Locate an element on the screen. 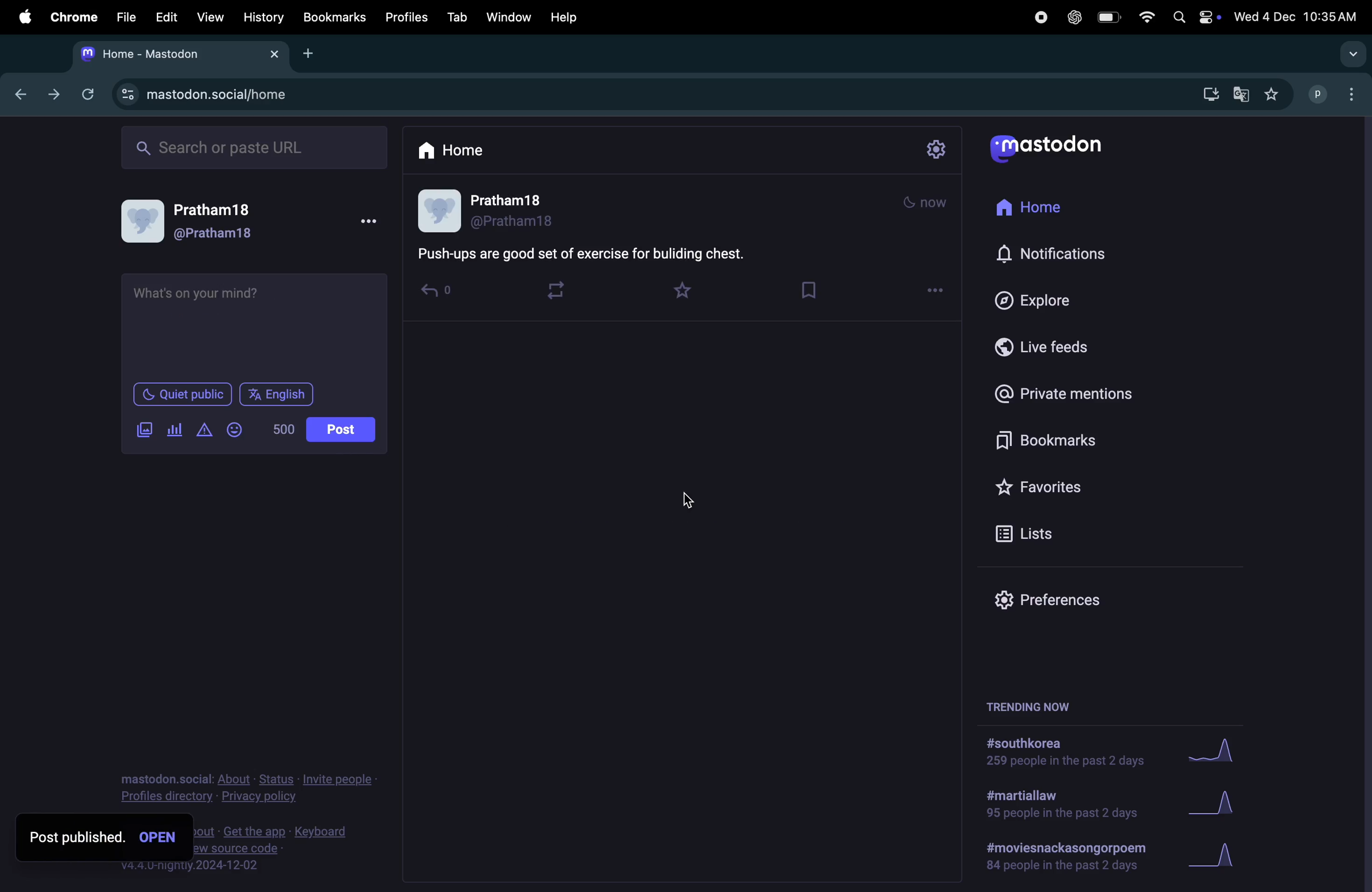 This screenshot has width=1372, height=892. tab is located at coordinates (458, 17).